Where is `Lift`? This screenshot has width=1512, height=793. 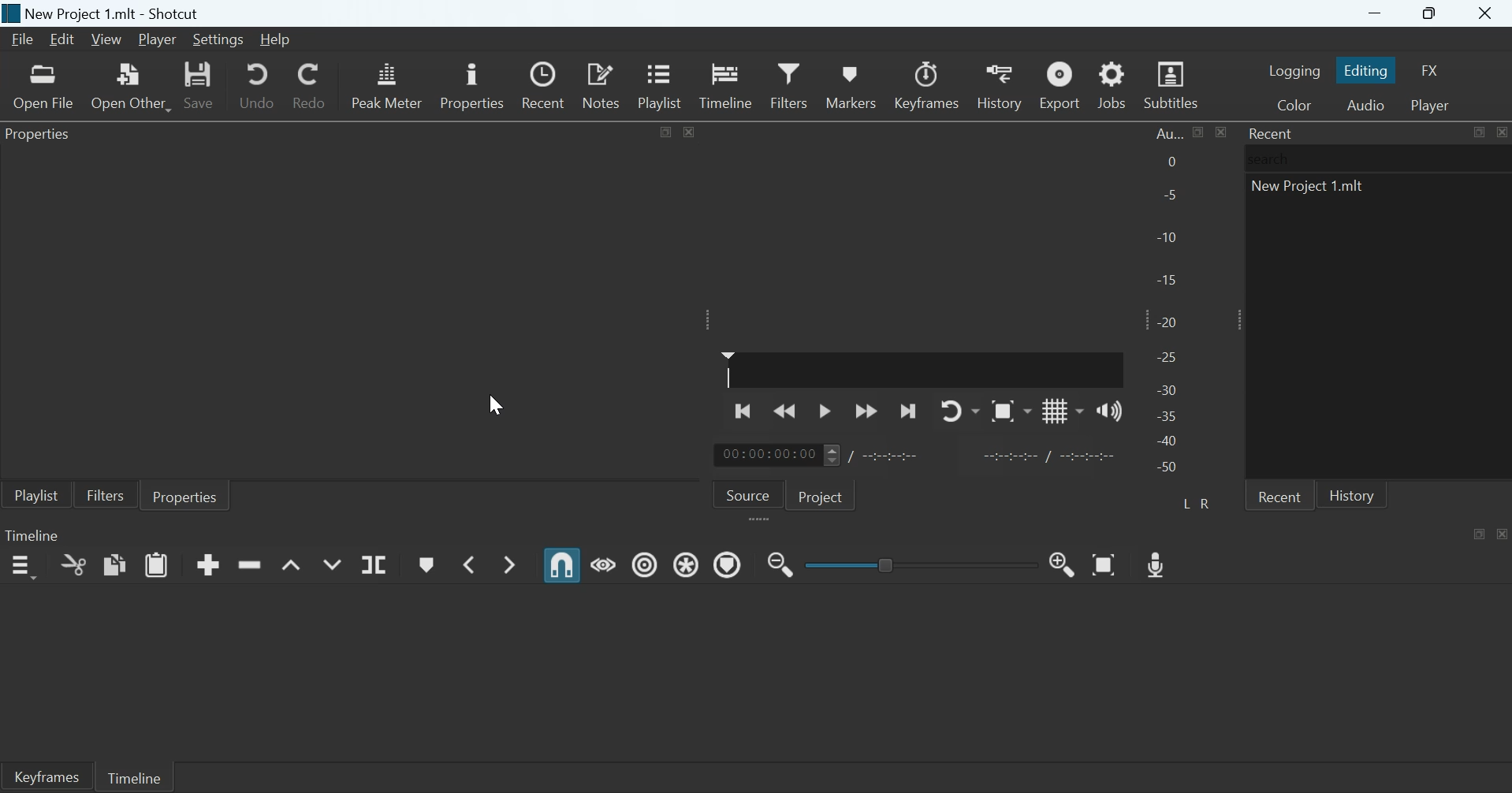 Lift is located at coordinates (292, 566).